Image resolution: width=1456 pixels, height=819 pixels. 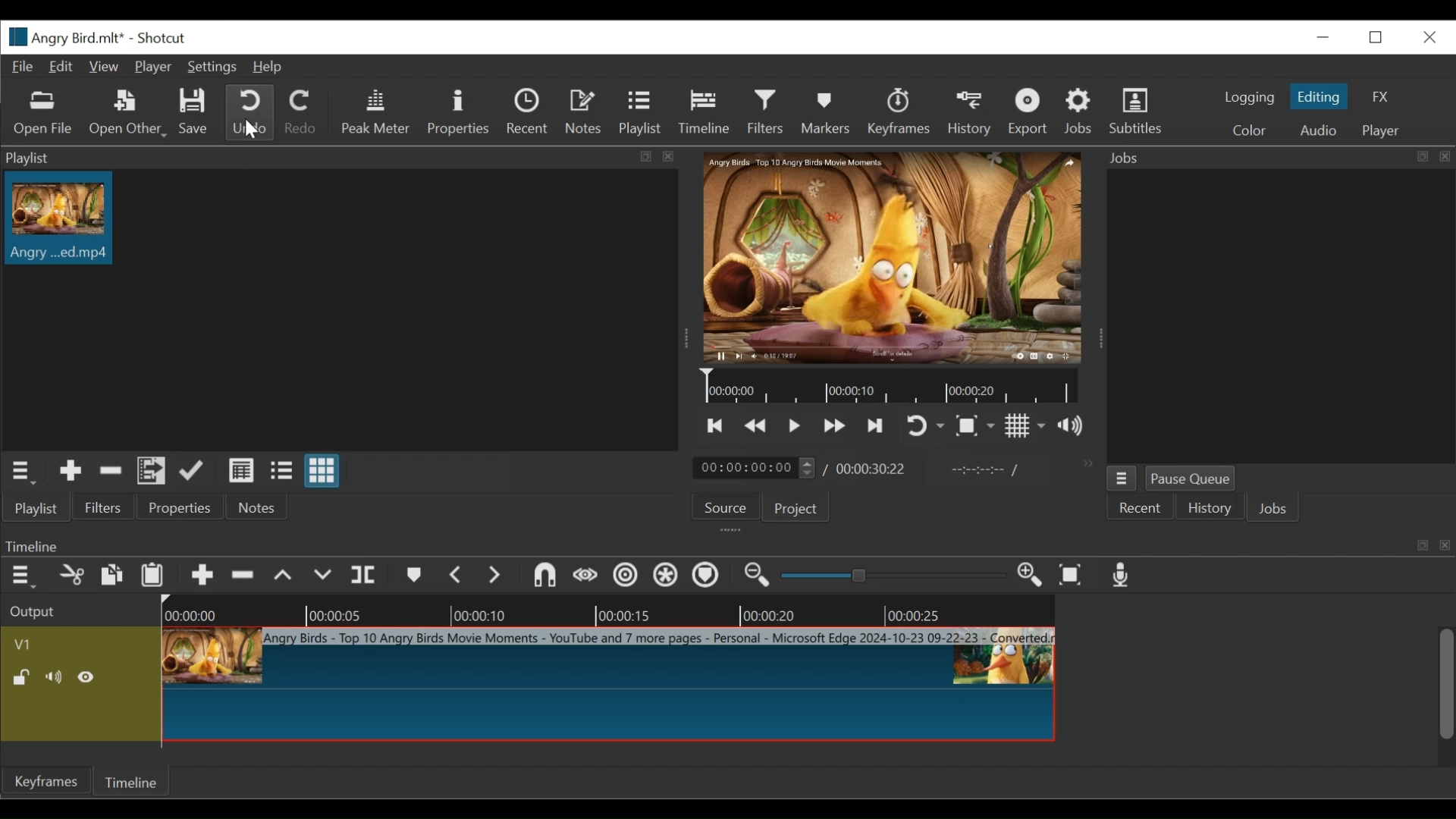 What do you see at coordinates (153, 65) in the screenshot?
I see `Player` at bounding box center [153, 65].